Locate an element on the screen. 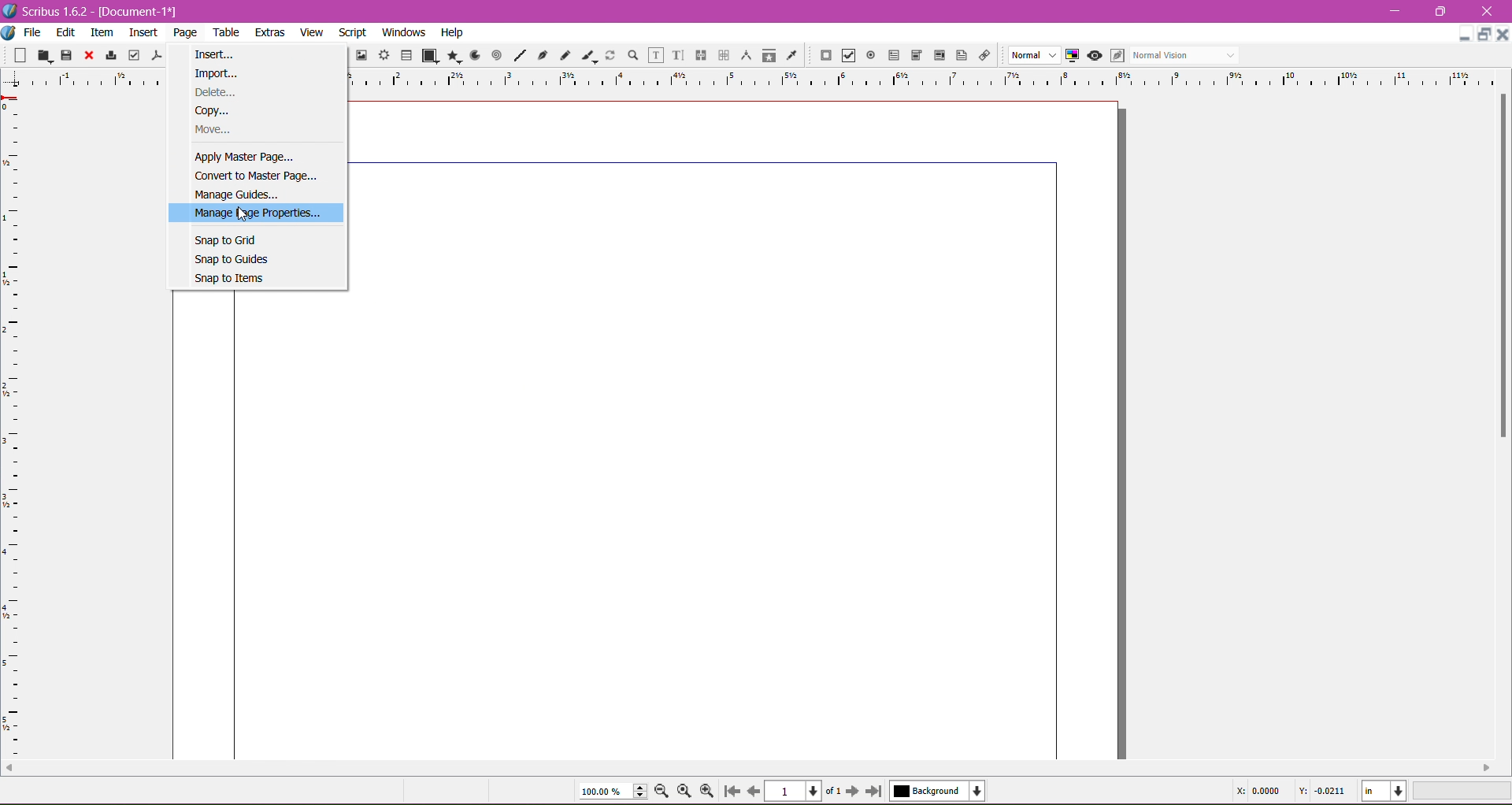 Image resolution: width=1512 pixels, height=805 pixels. Edit Contents of Frame is located at coordinates (654, 56).